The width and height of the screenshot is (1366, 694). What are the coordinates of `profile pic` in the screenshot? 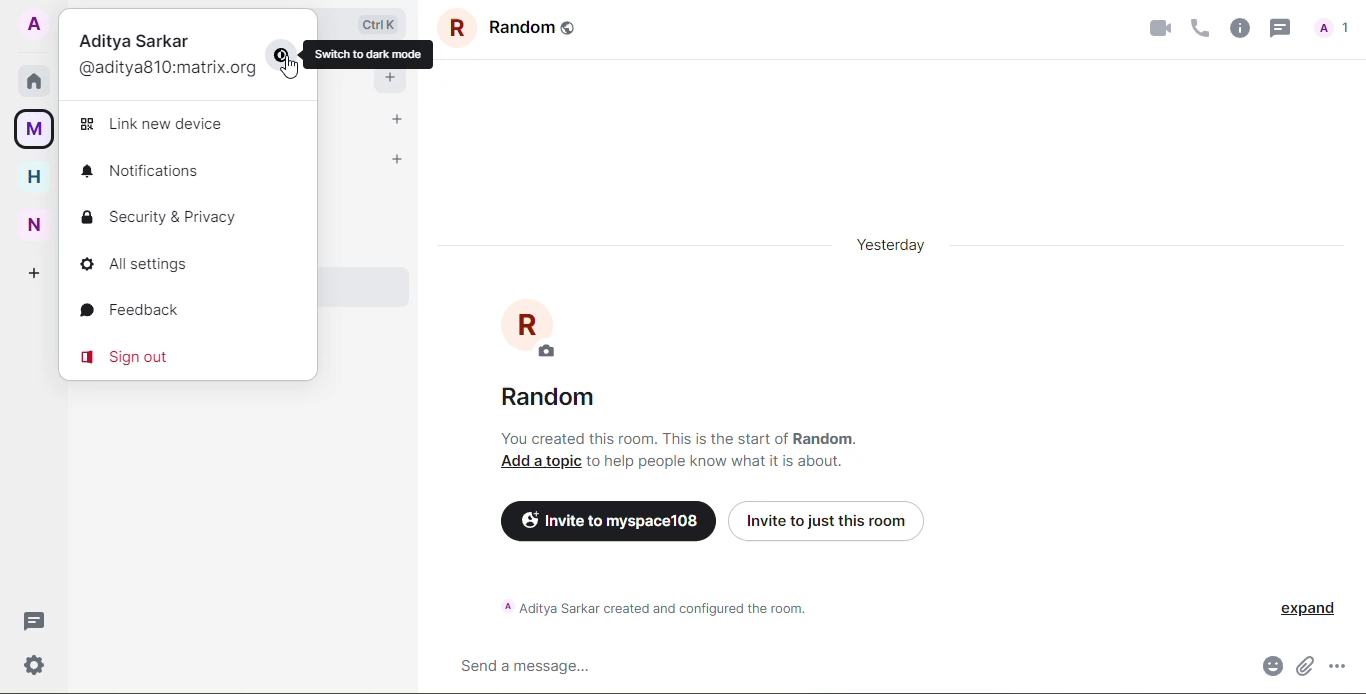 It's located at (536, 329).